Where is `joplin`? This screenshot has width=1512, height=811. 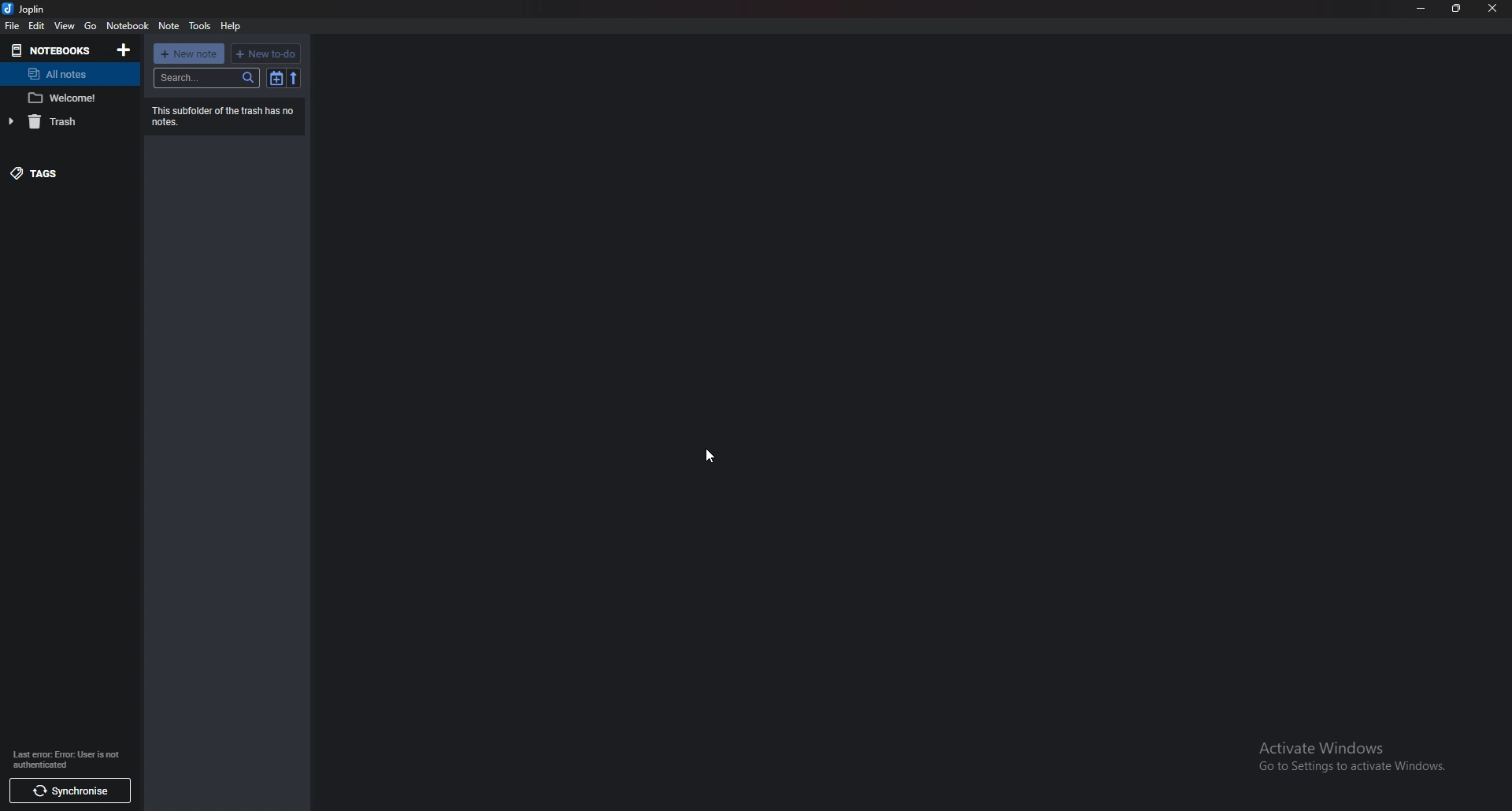 joplin is located at coordinates (28, 9).